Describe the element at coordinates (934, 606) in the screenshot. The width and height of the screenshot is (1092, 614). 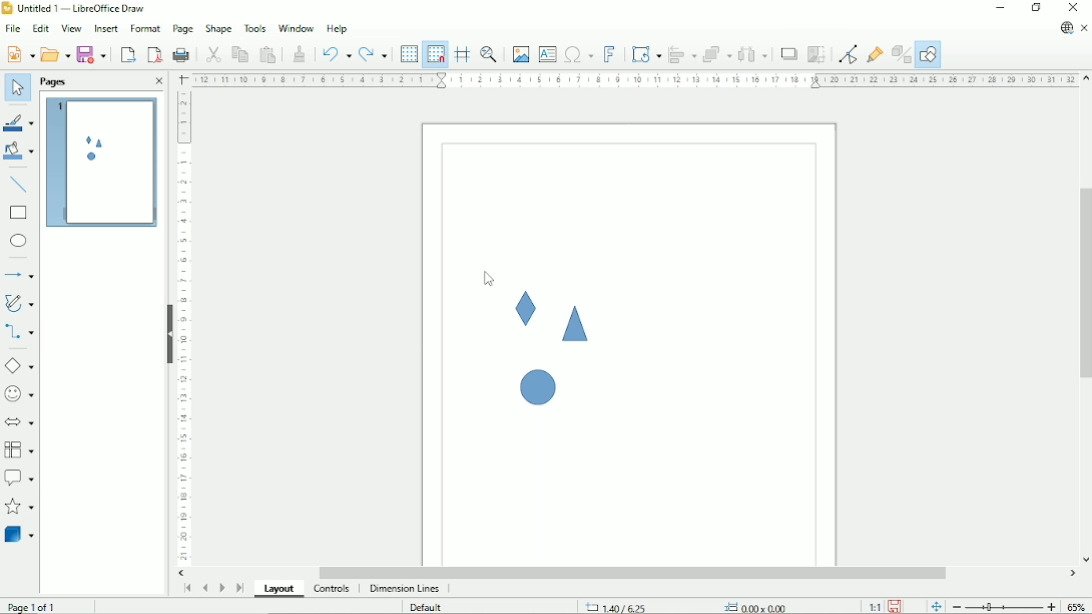
I see `Fit page to current window` at that location.